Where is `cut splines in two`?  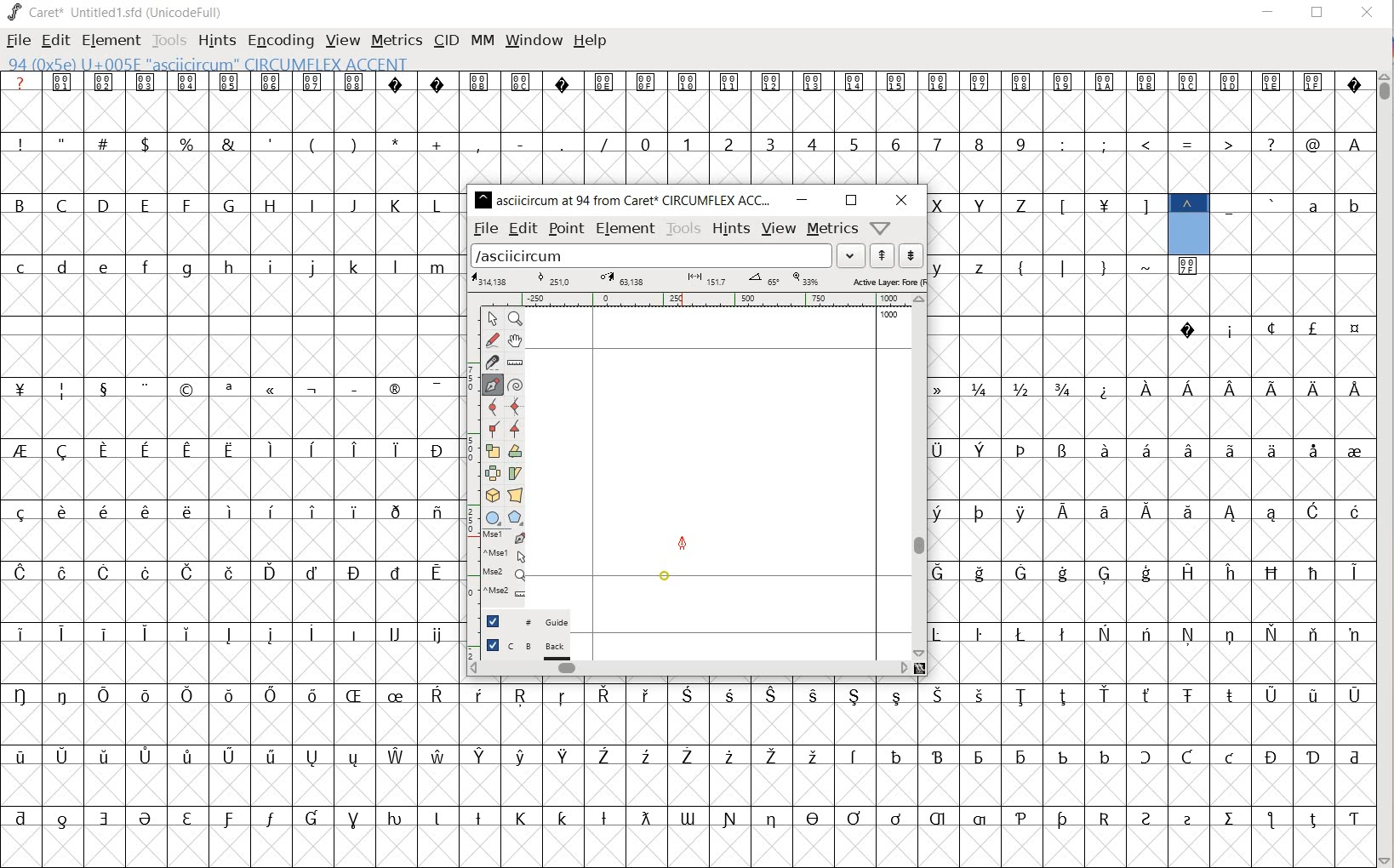
cut splines in two is located at coordinates (490, 363).